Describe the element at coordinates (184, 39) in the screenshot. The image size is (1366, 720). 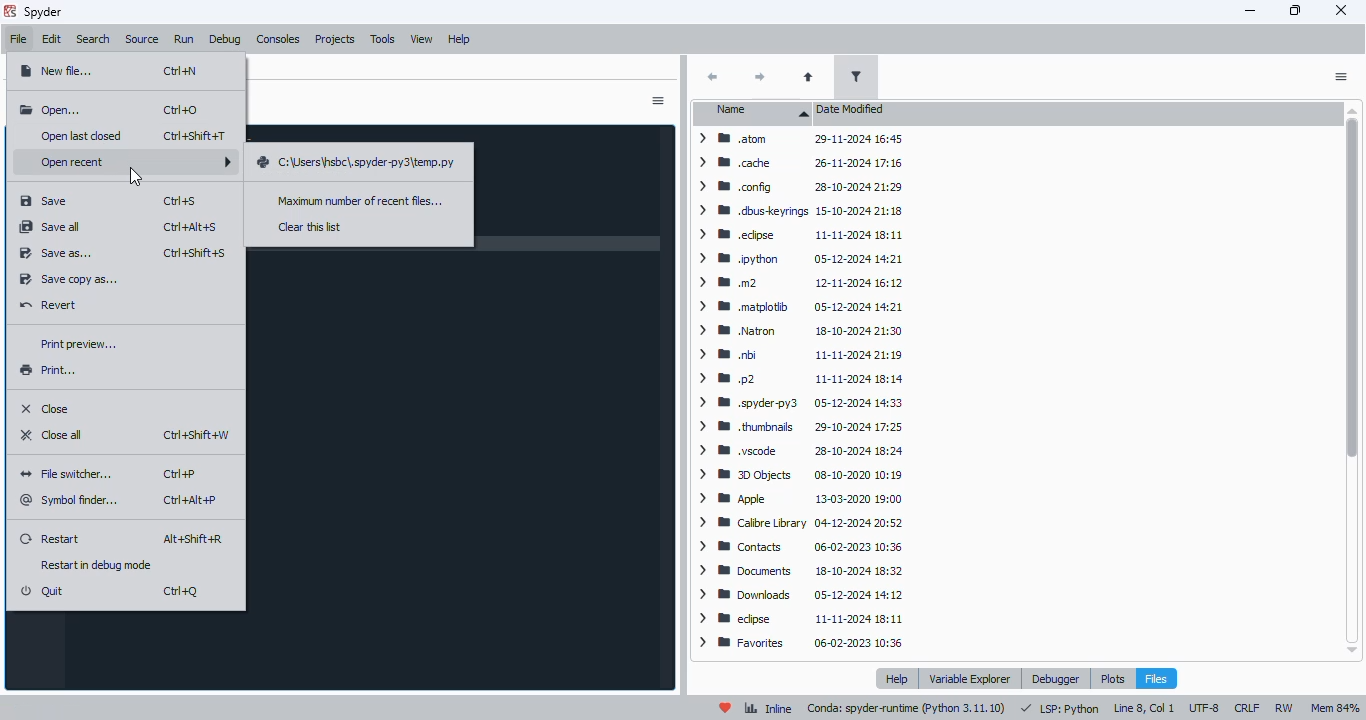
I see `run` at that location.